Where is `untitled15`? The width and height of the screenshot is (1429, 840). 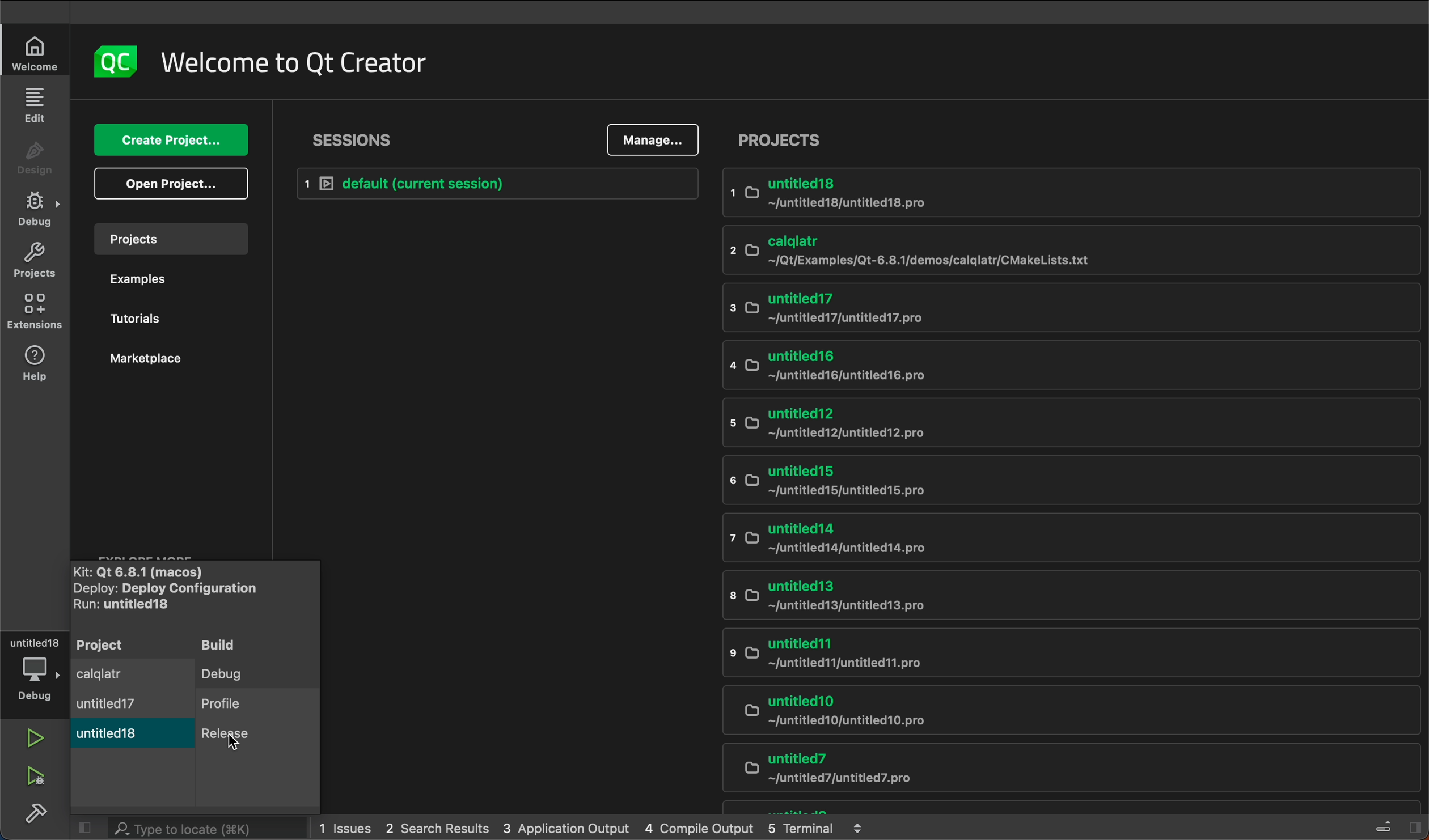
untitled15 is located at coordinates (1008, 482).